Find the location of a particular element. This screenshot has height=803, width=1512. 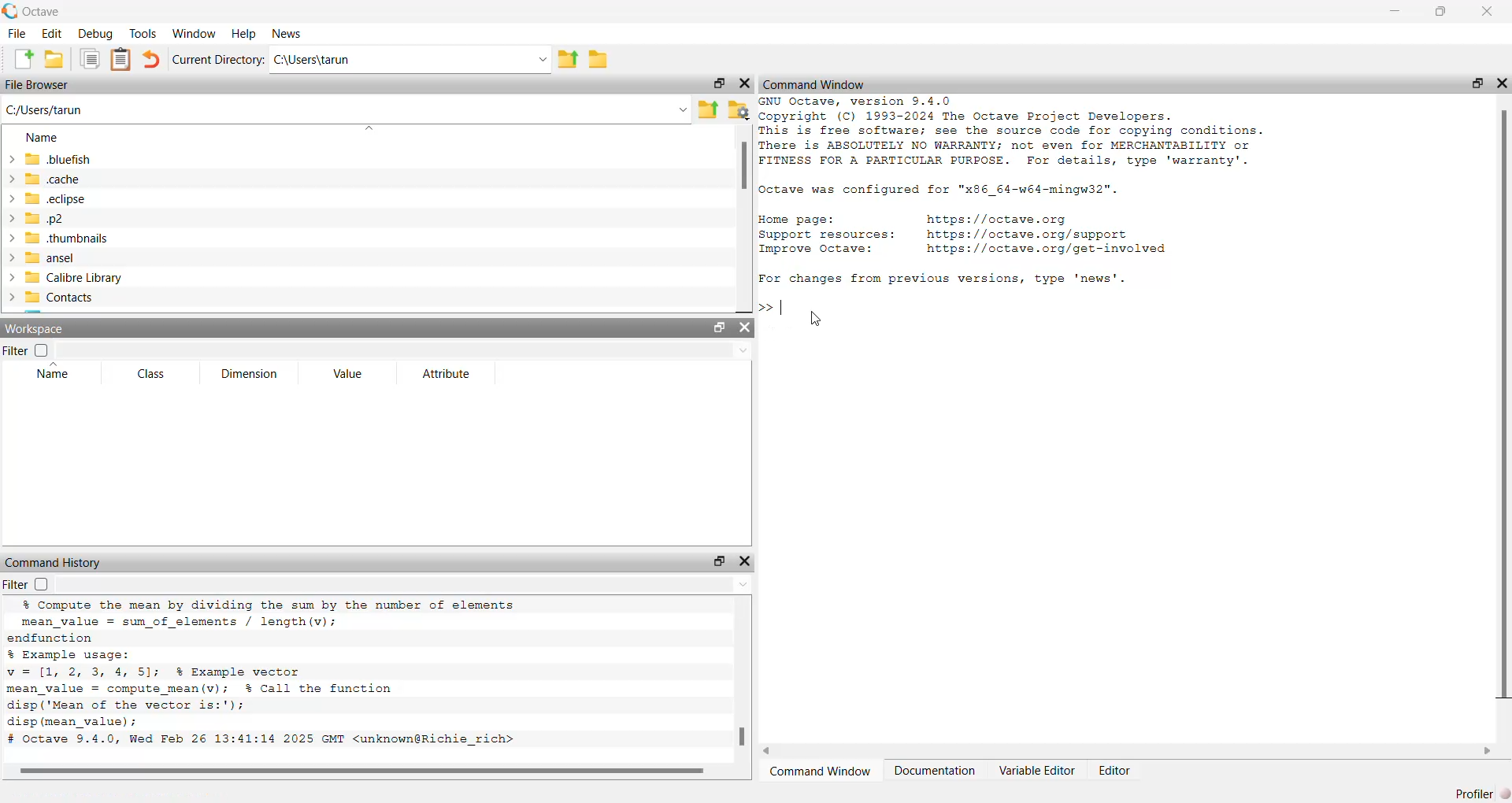

scroll right is located at coordinates (1488, 750).